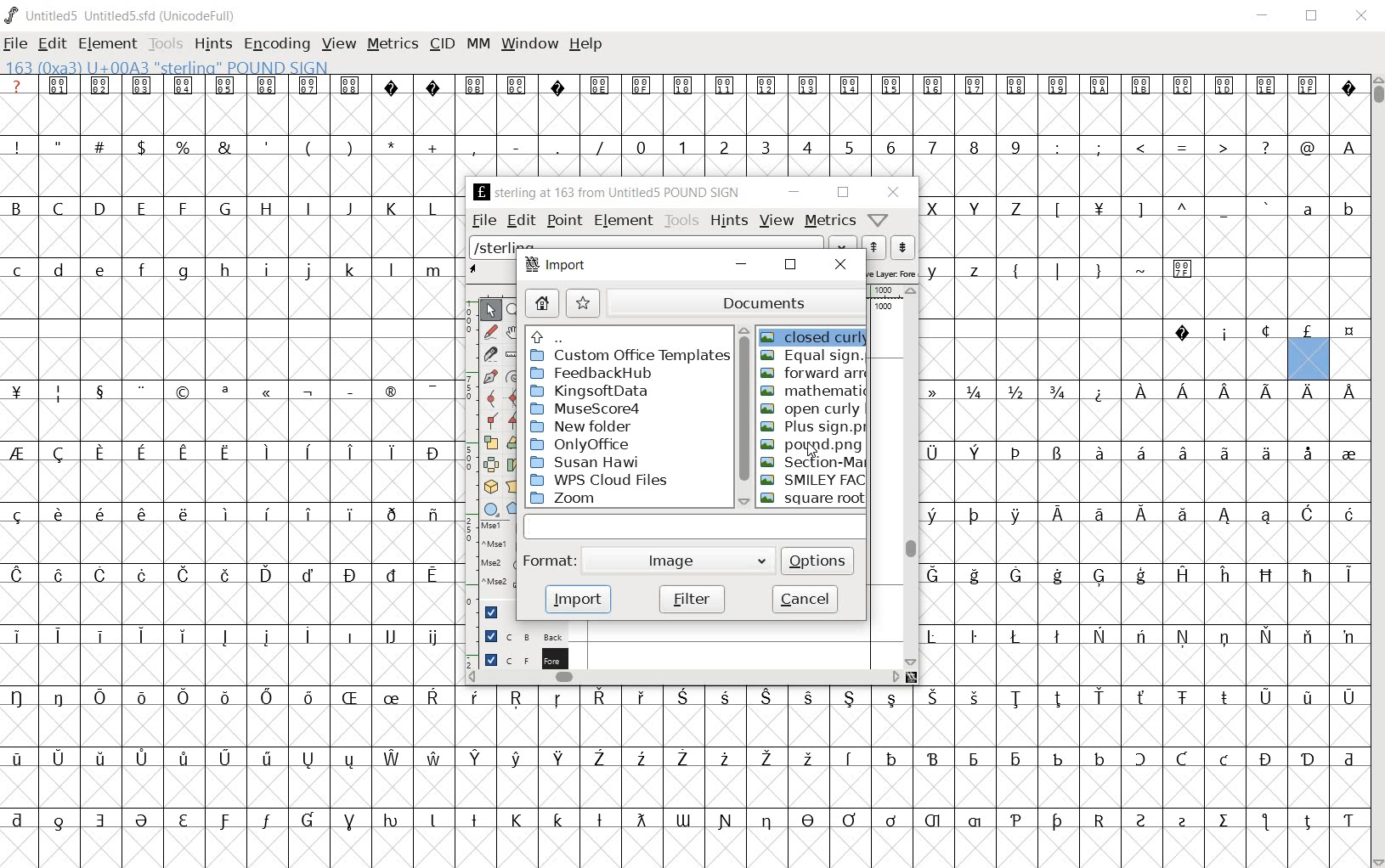  I want to click on /sterling, so click(647, 243).